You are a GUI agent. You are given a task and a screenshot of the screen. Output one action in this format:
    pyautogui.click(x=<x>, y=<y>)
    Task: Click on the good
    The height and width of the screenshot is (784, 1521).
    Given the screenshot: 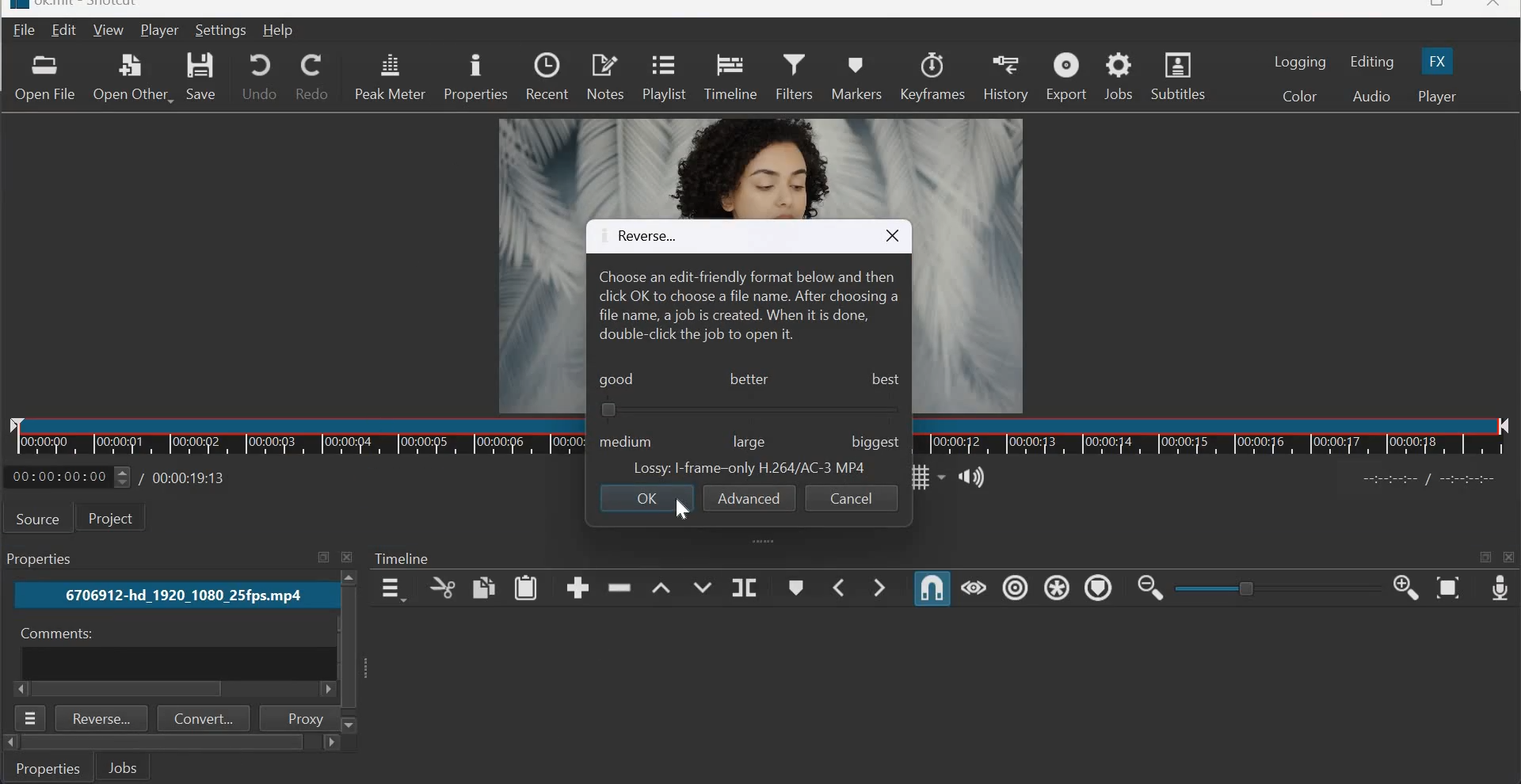 What is the action you would take?
    pyautogui.click(x=617, y=380)
    